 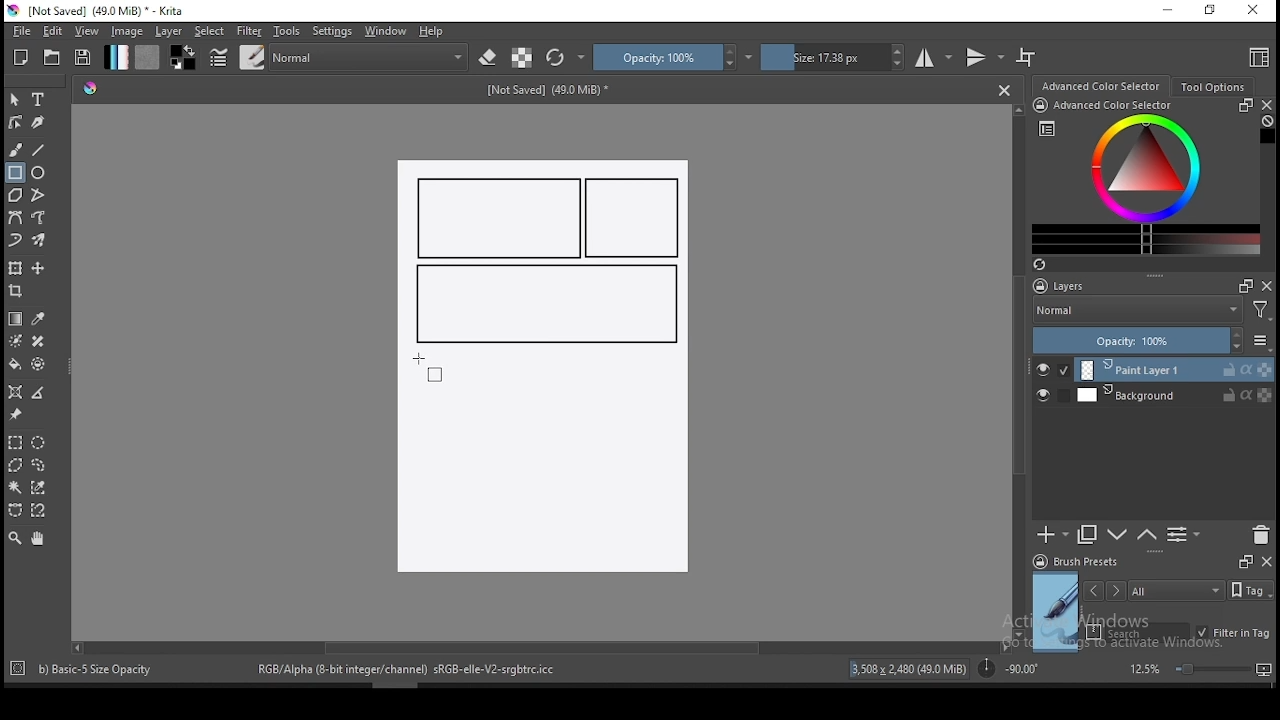 I want to click on zoom tool, so click(x=15, y=537).